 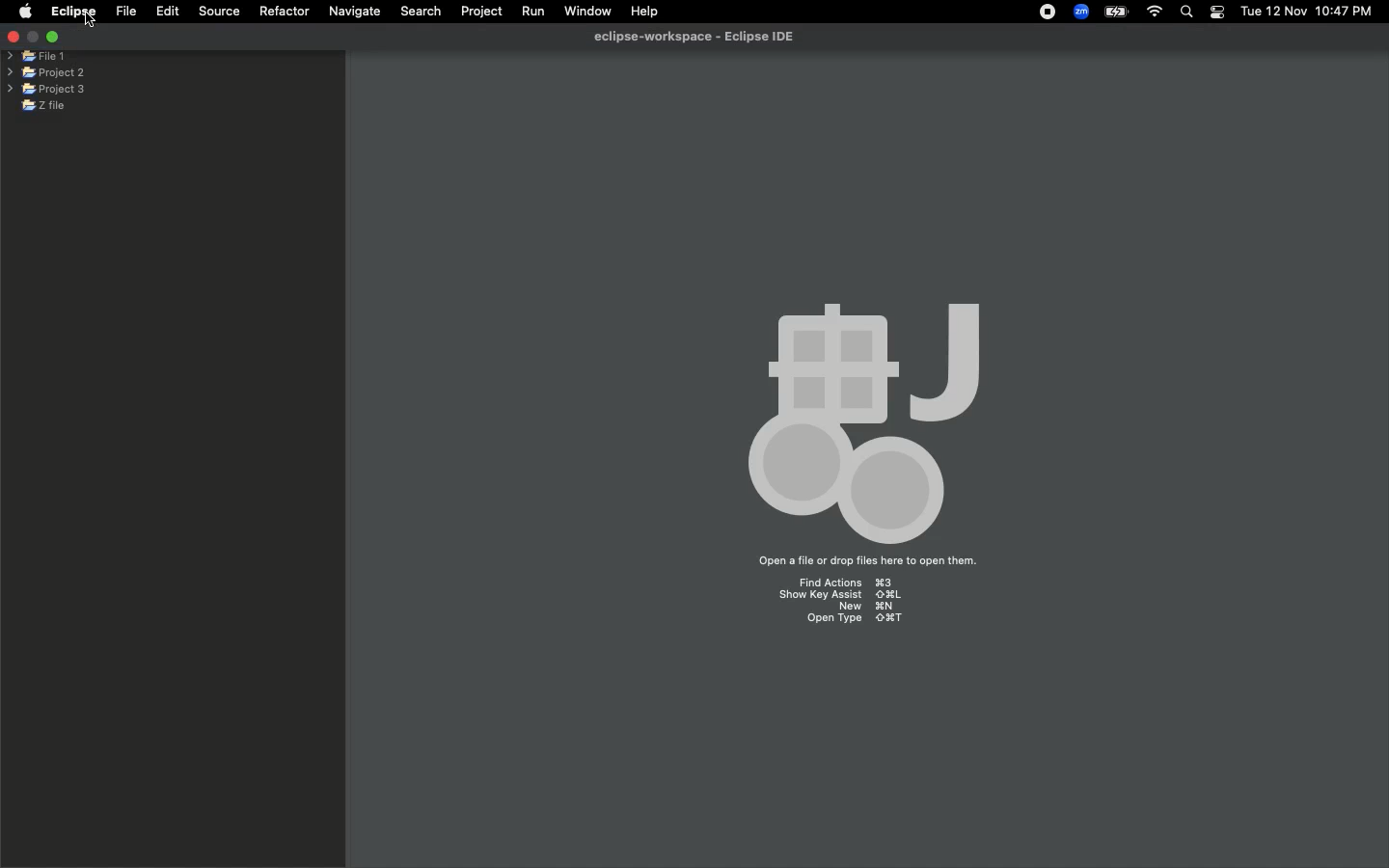 What do you see at coordinates (1157, 12) in the screenshot?
I see `Internet` at bounding box center [1157, 12].